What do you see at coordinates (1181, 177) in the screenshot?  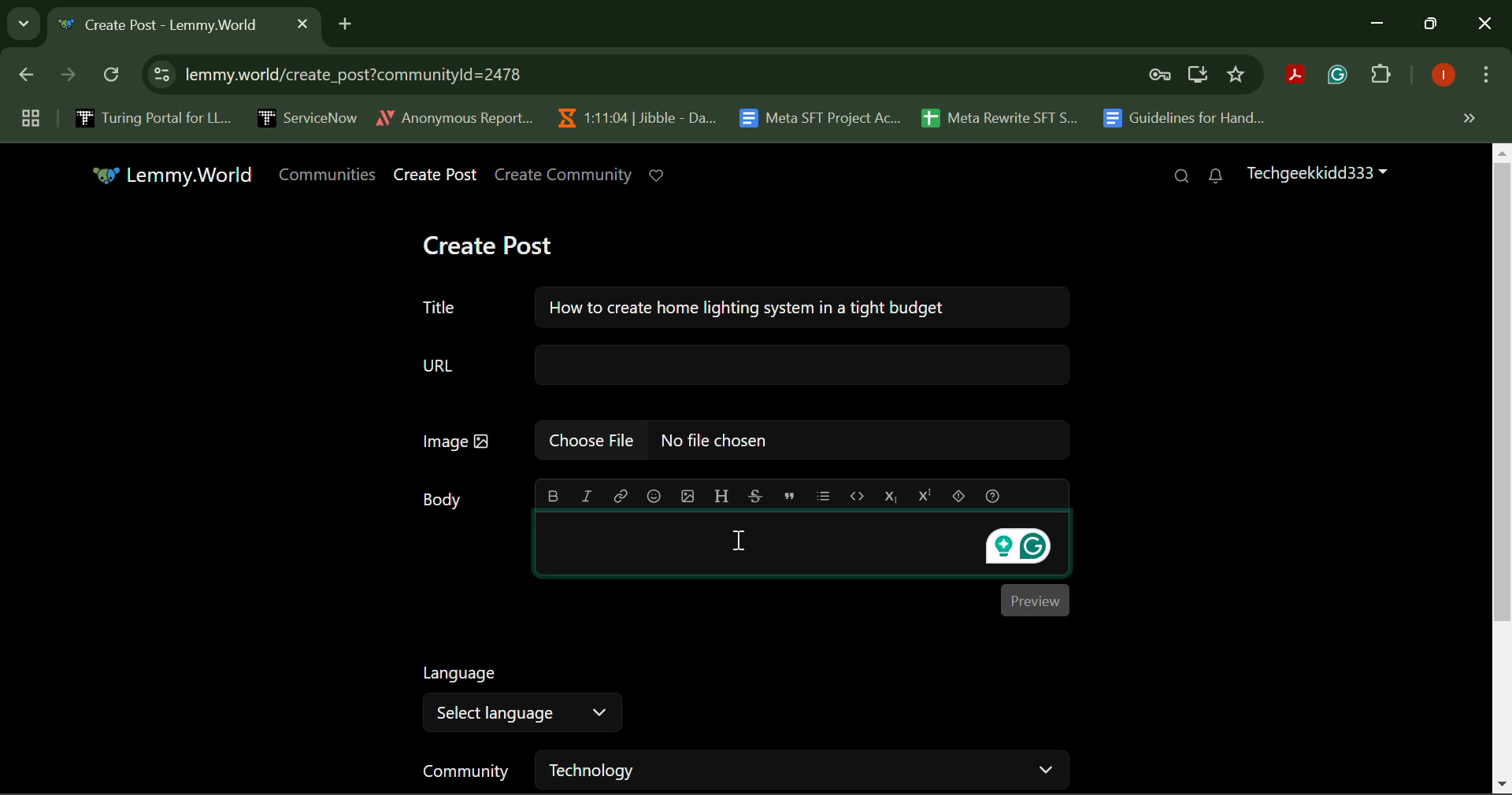 I see `Search` at bounding box center [1181, 177].